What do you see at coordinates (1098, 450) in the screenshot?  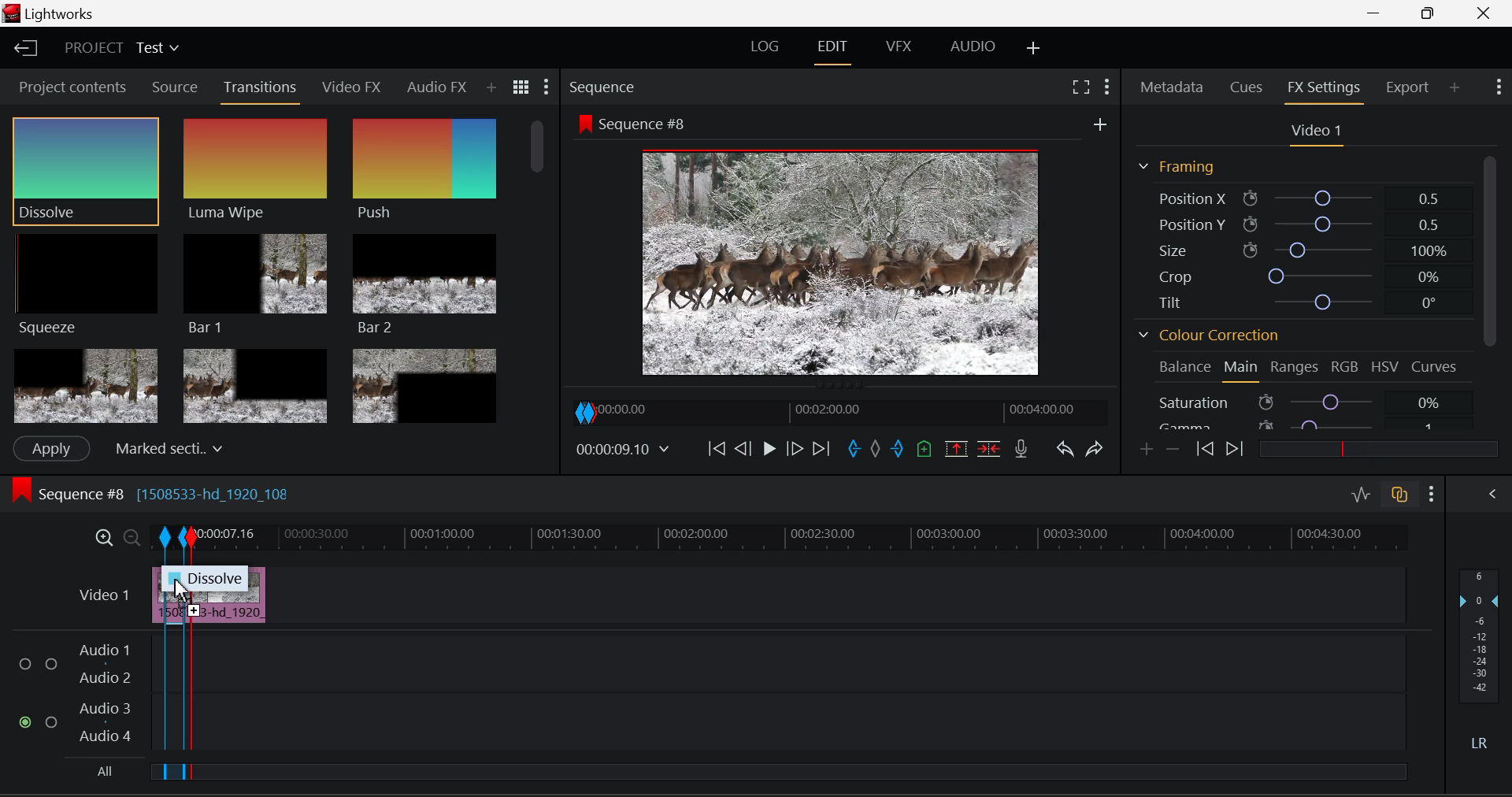 I see `Redo` at bounding box center [1098, 450].